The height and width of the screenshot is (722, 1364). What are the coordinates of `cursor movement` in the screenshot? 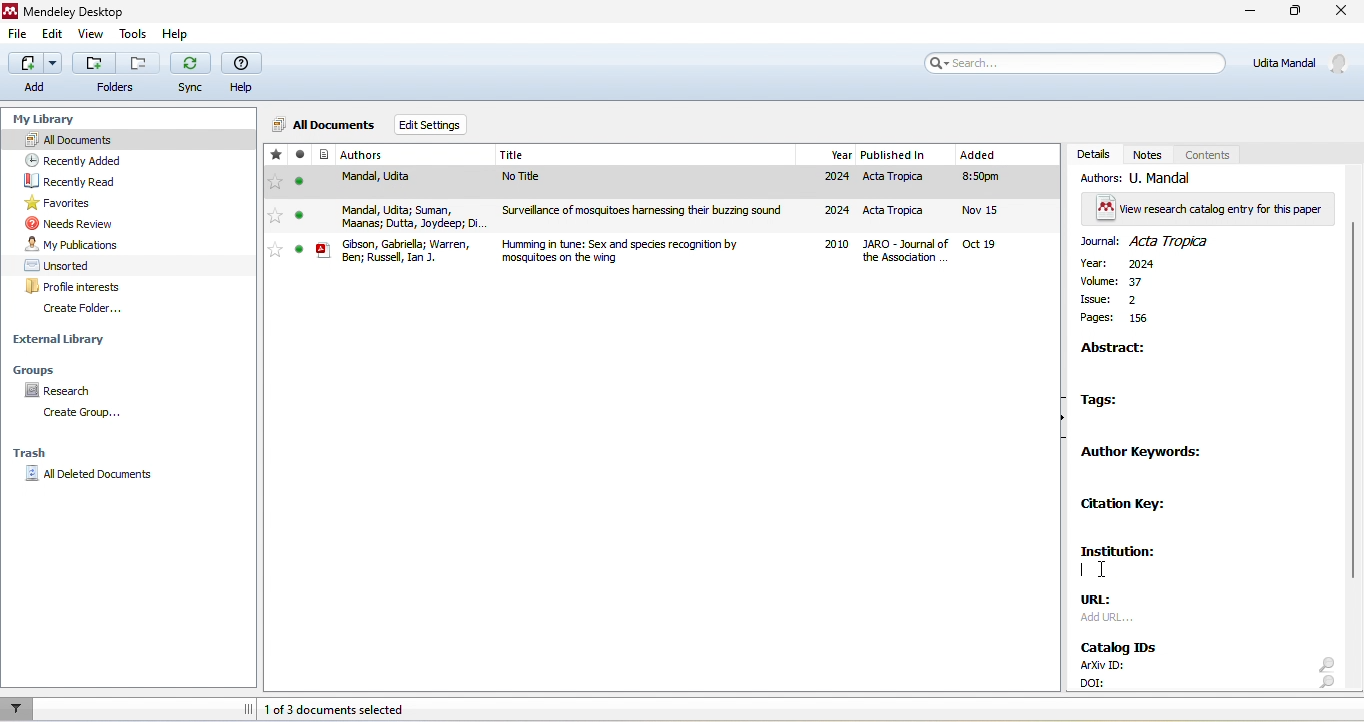 It's located at (1104, 572).